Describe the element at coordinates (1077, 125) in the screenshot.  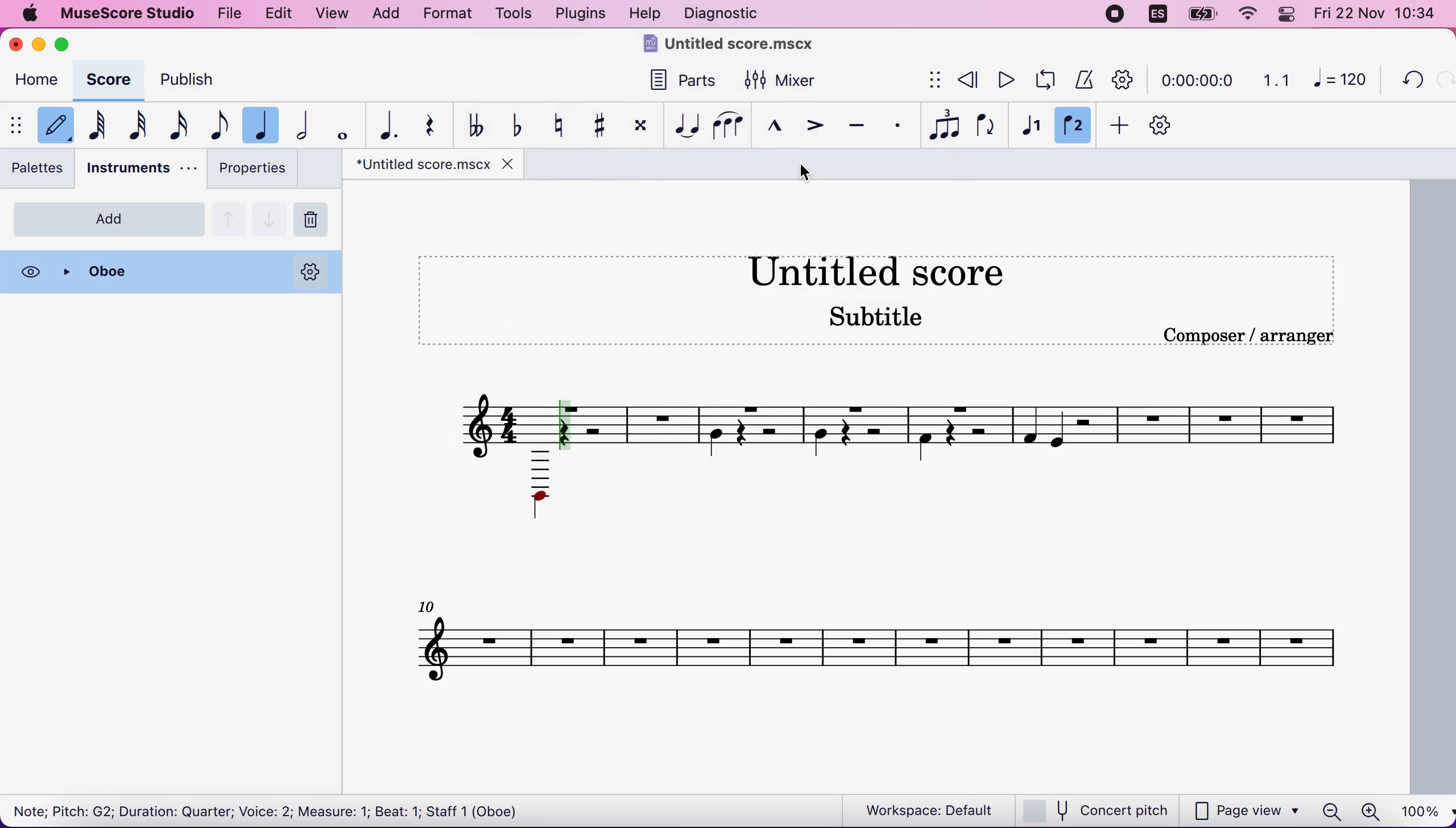
I see `voice 2` at that location.